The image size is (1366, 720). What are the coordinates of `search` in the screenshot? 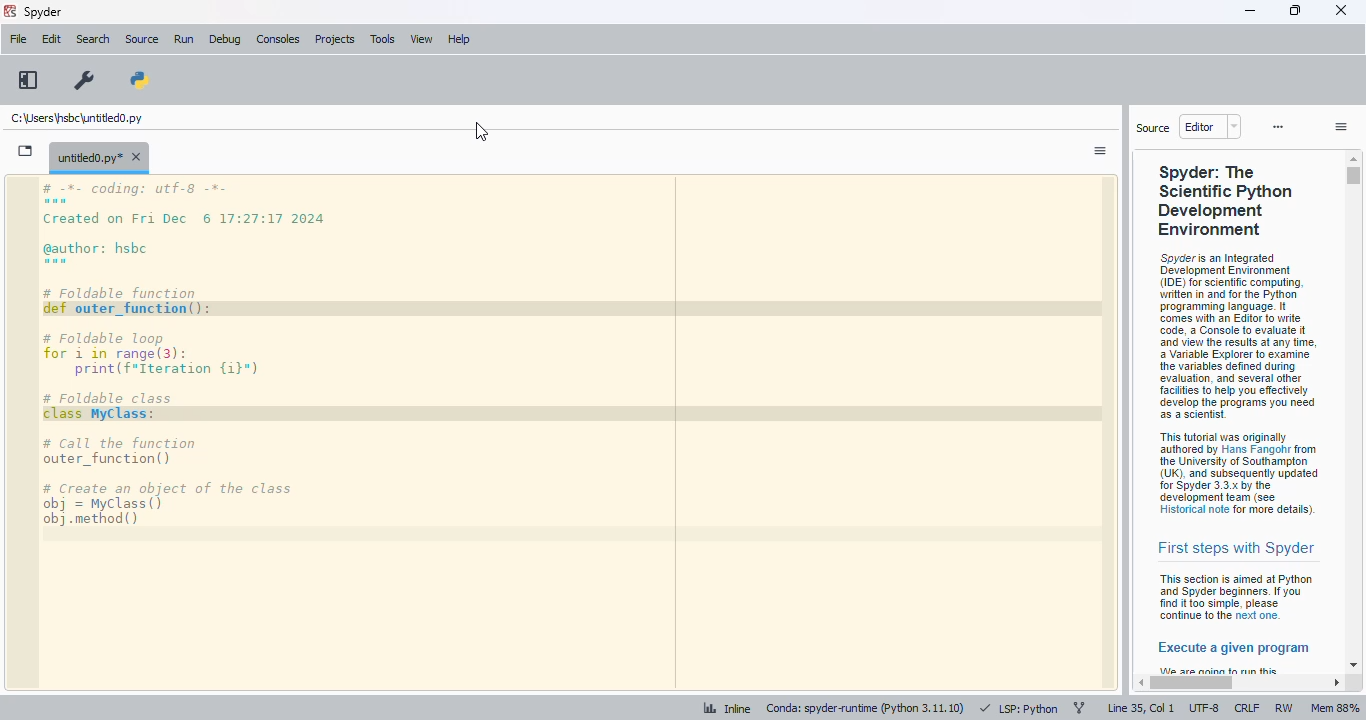 It's located at (94, 39).